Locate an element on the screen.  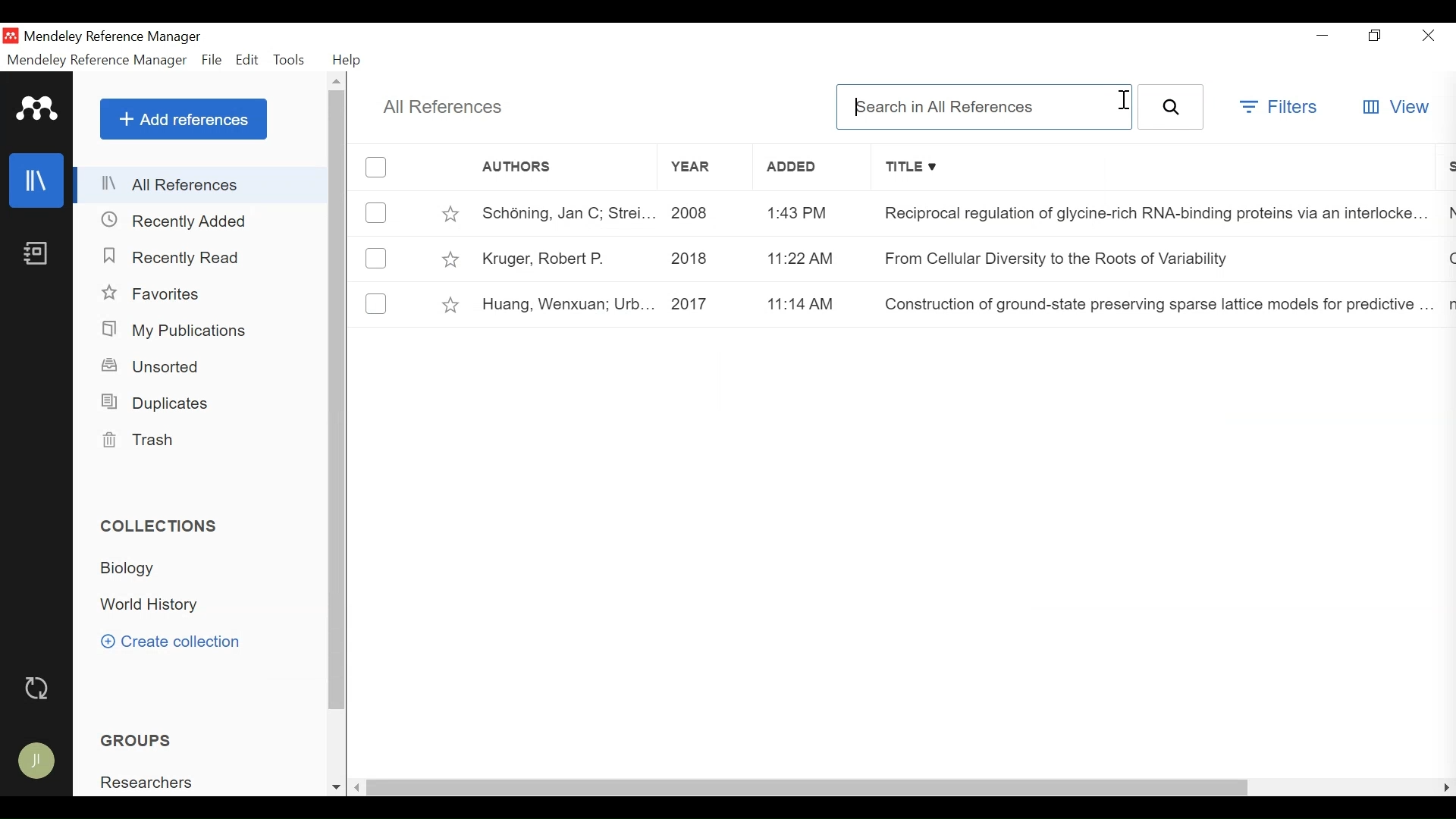
Help is located at coordinates (347, 61).